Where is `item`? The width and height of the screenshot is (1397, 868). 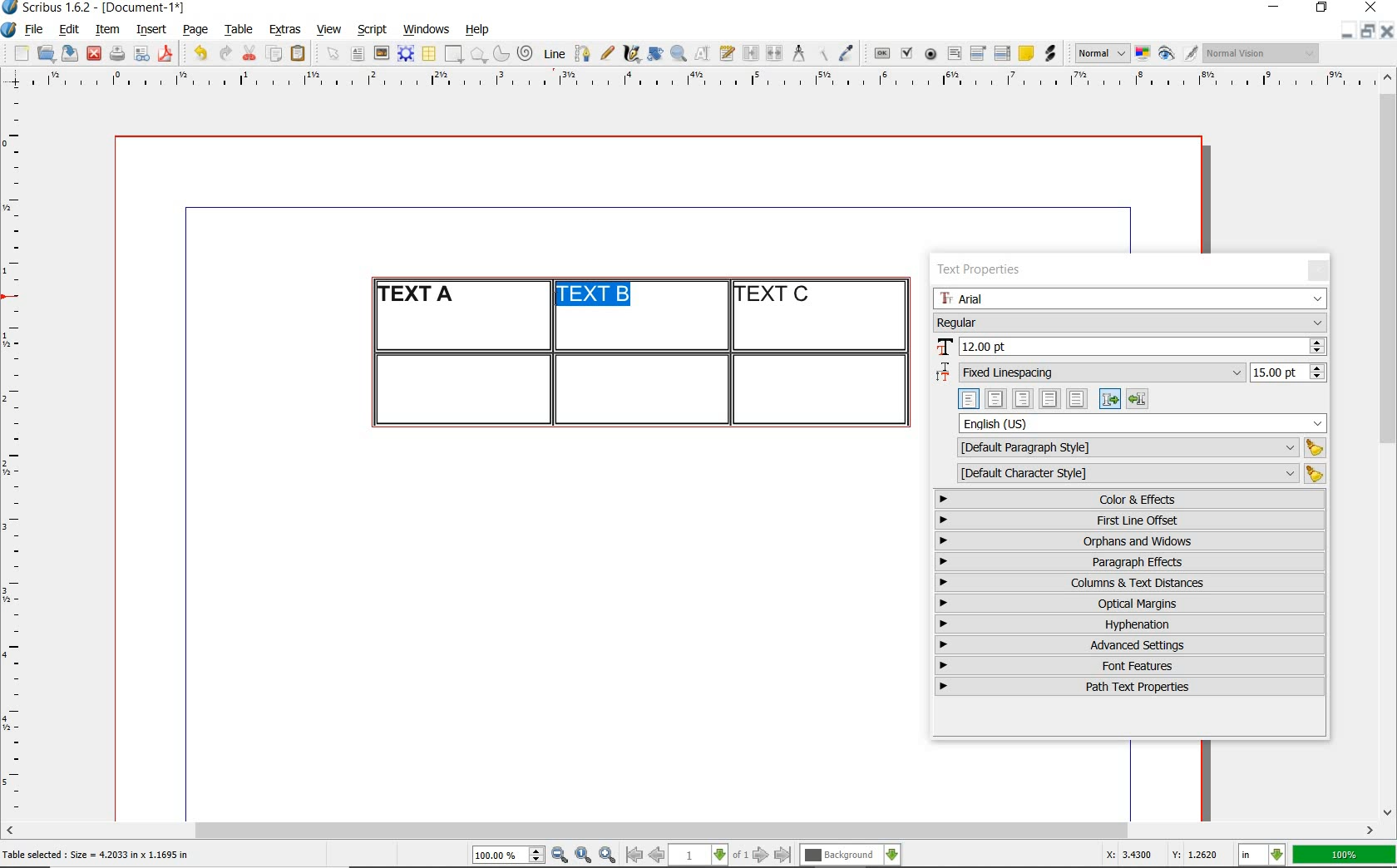 item is located at coordinates (106, 30).